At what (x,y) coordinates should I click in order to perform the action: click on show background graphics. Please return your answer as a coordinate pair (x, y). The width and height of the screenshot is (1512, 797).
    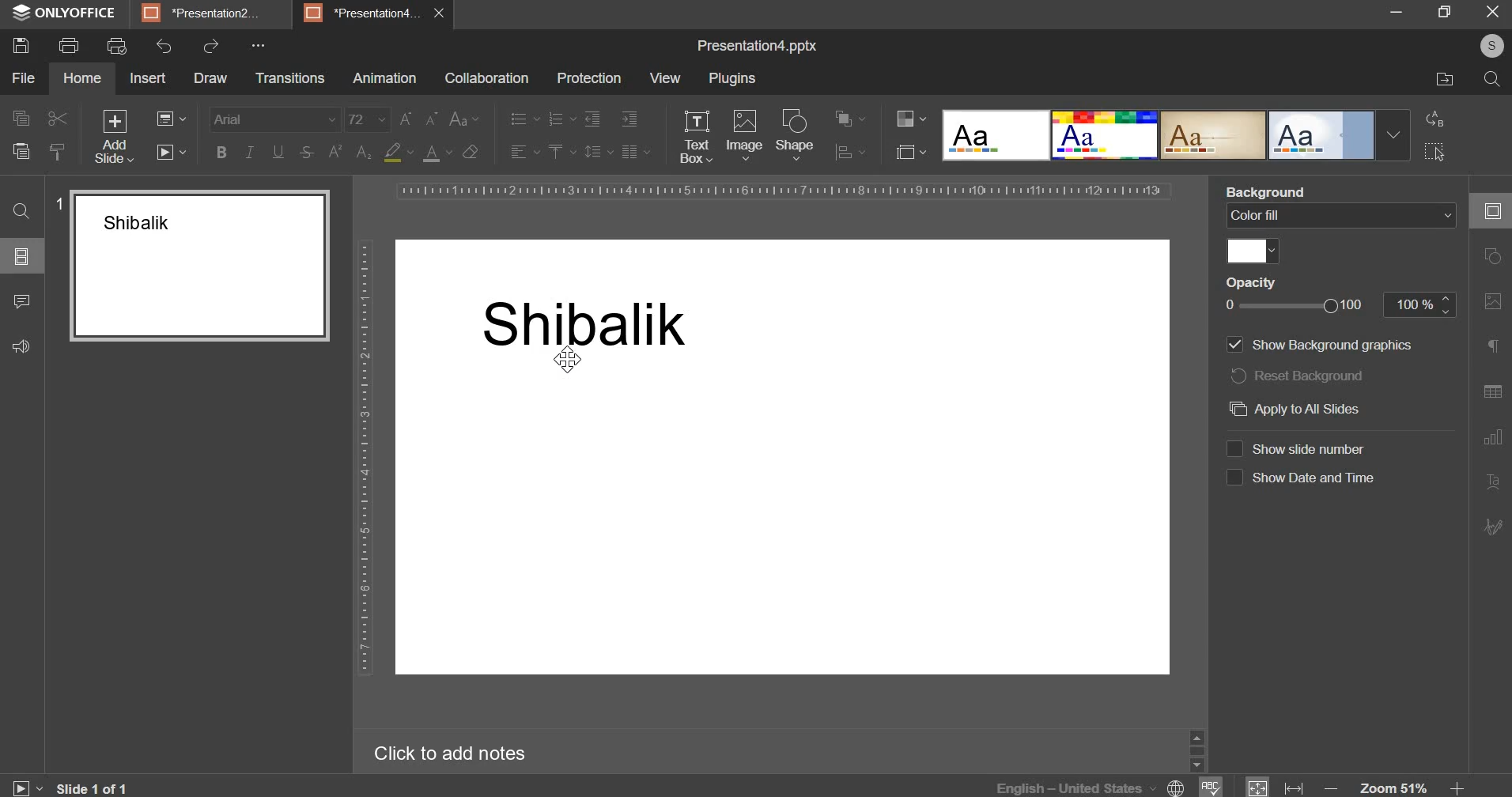
    Looking at the image, I should click on (1331, 344).